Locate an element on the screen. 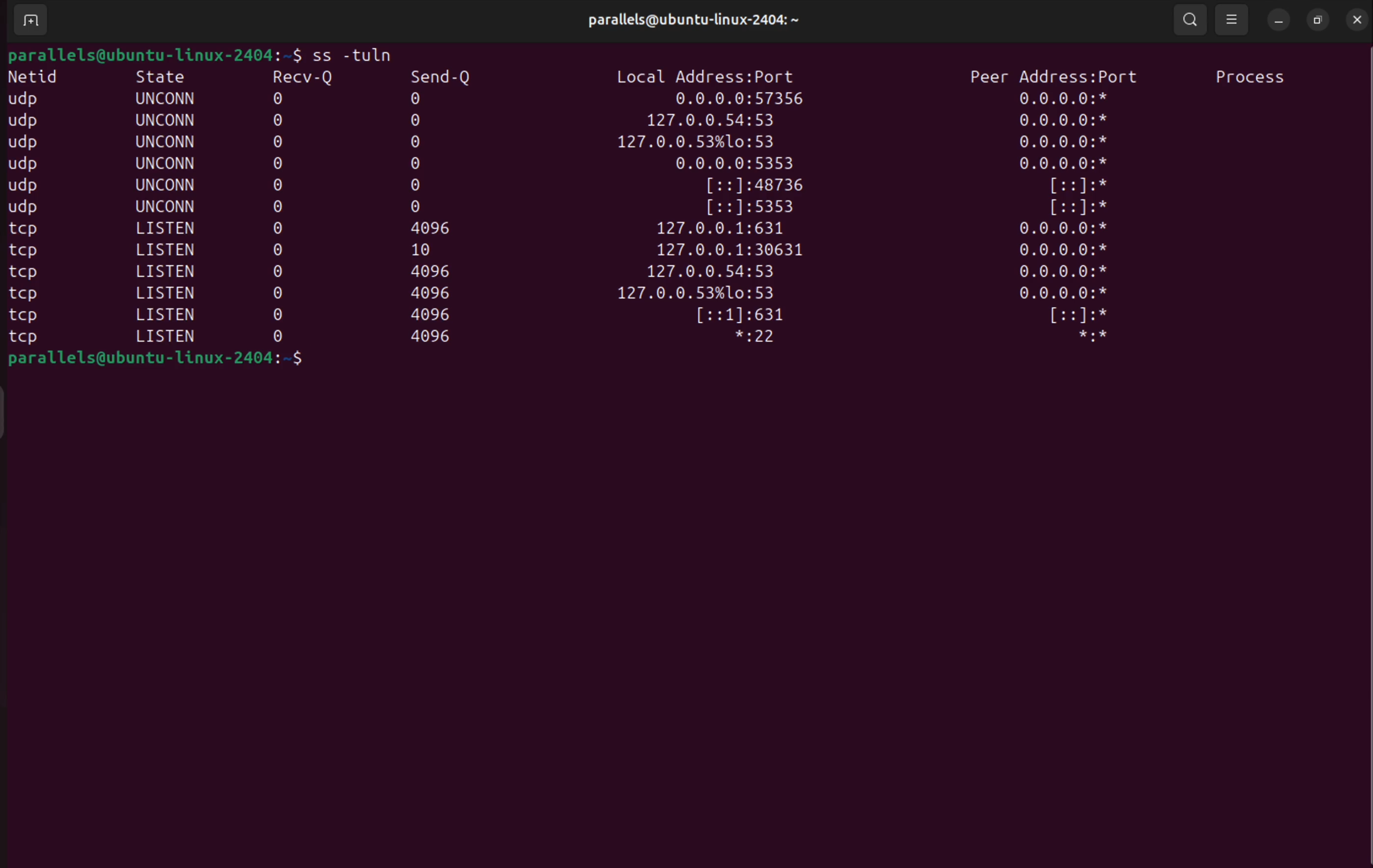 This screenshot has height=868, width=1373. 0 is located at coordinates (419, 141).